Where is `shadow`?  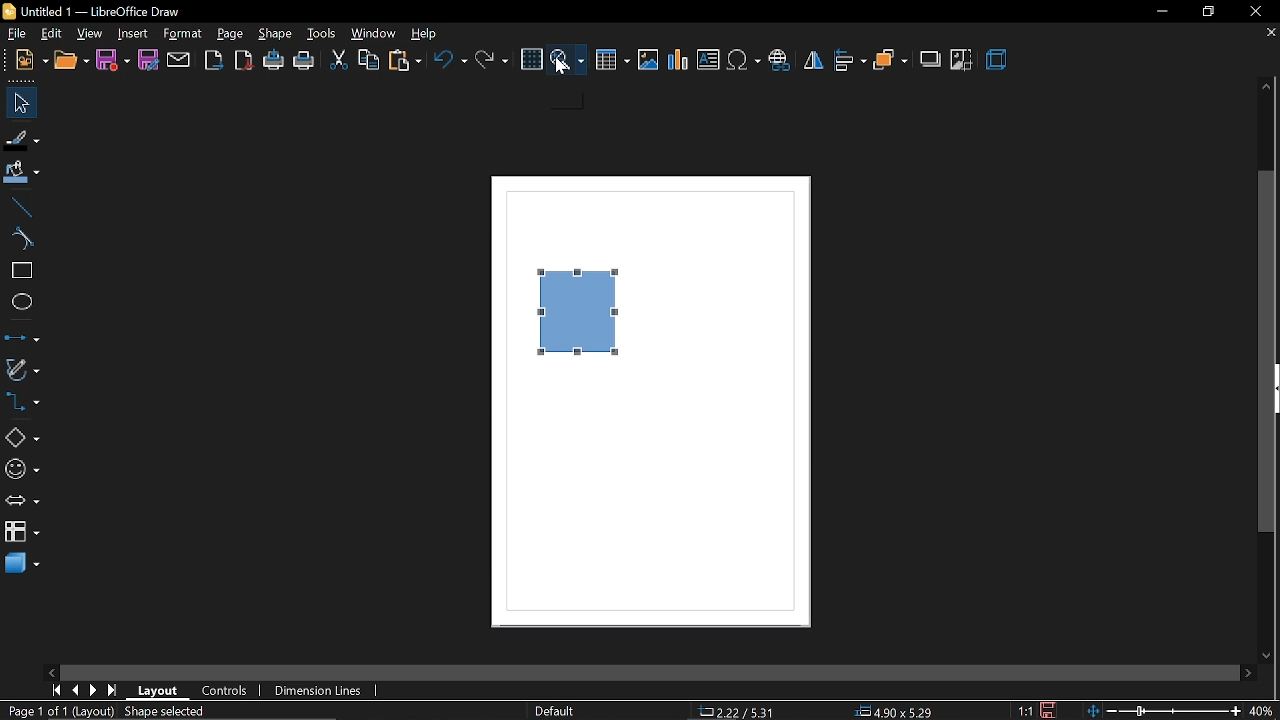 shadow is located at coordinates (931, 62).